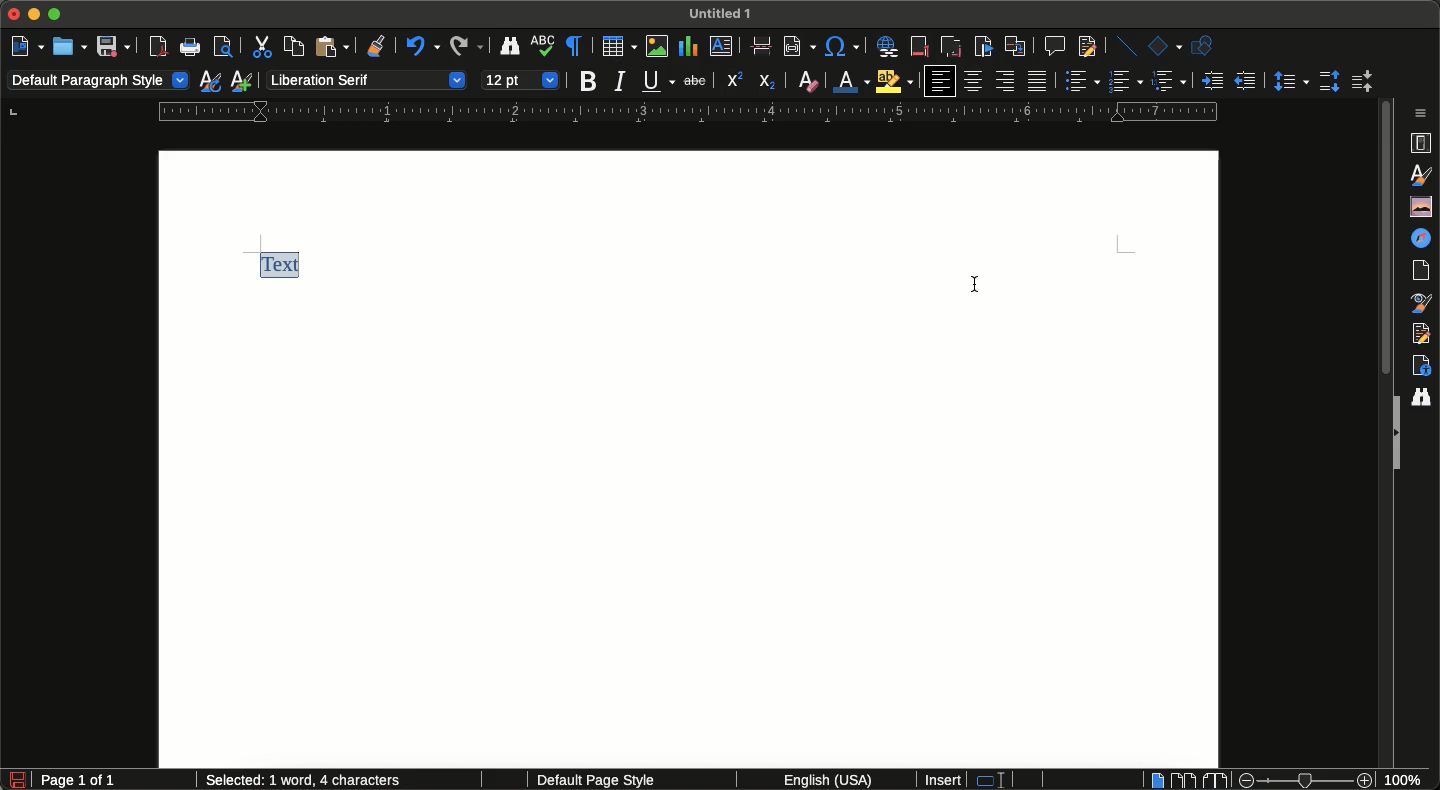 The height and width of the screenshot is (790, 1440). Describe the element at coordinates (378, 48) in the screenshot. I see `Clone formatting` at that location.